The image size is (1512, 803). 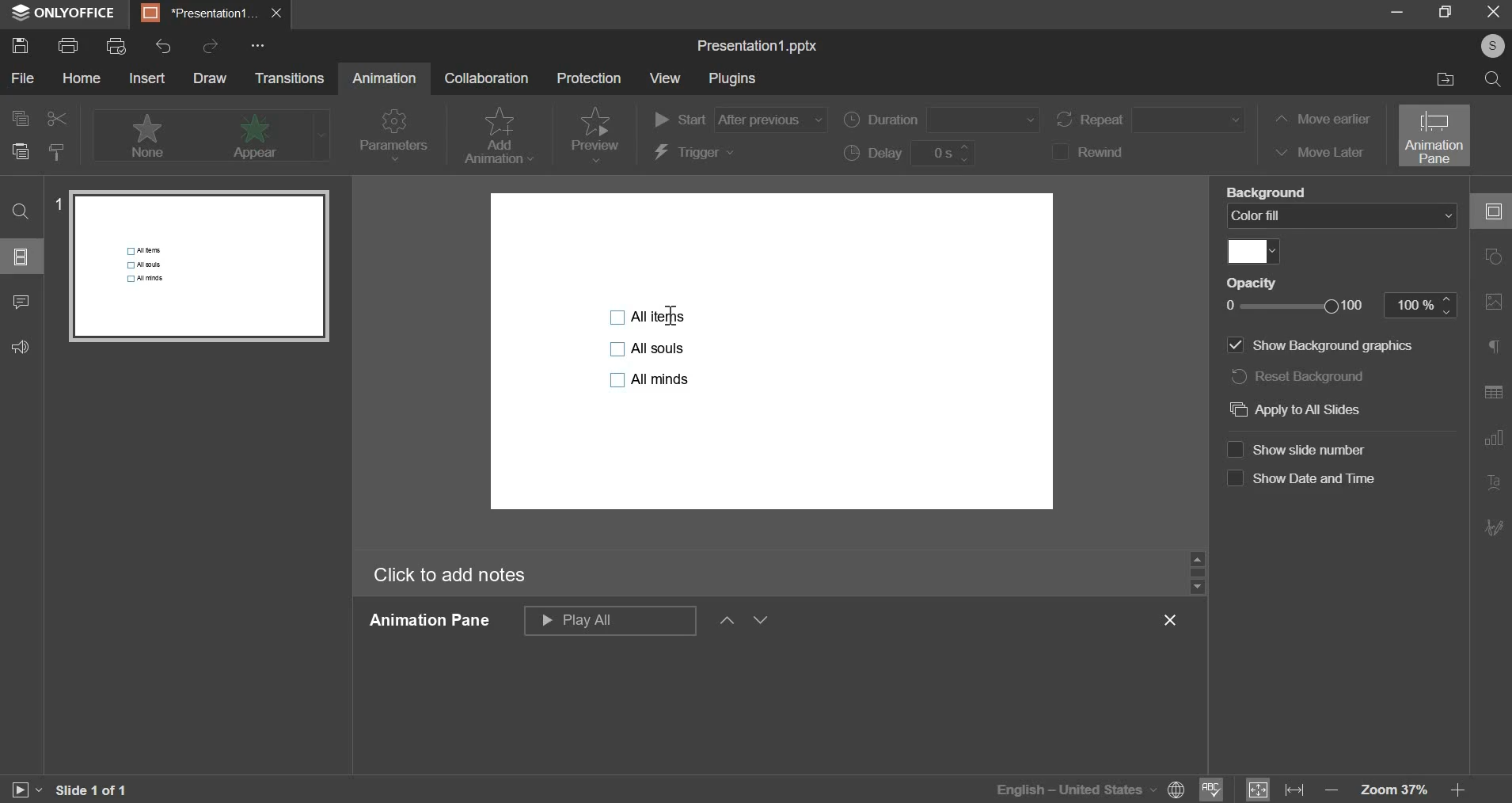 What do you see at coordinates (731, 79) in the screenshot?
I see `plugins` at bounding box center [731, 79].